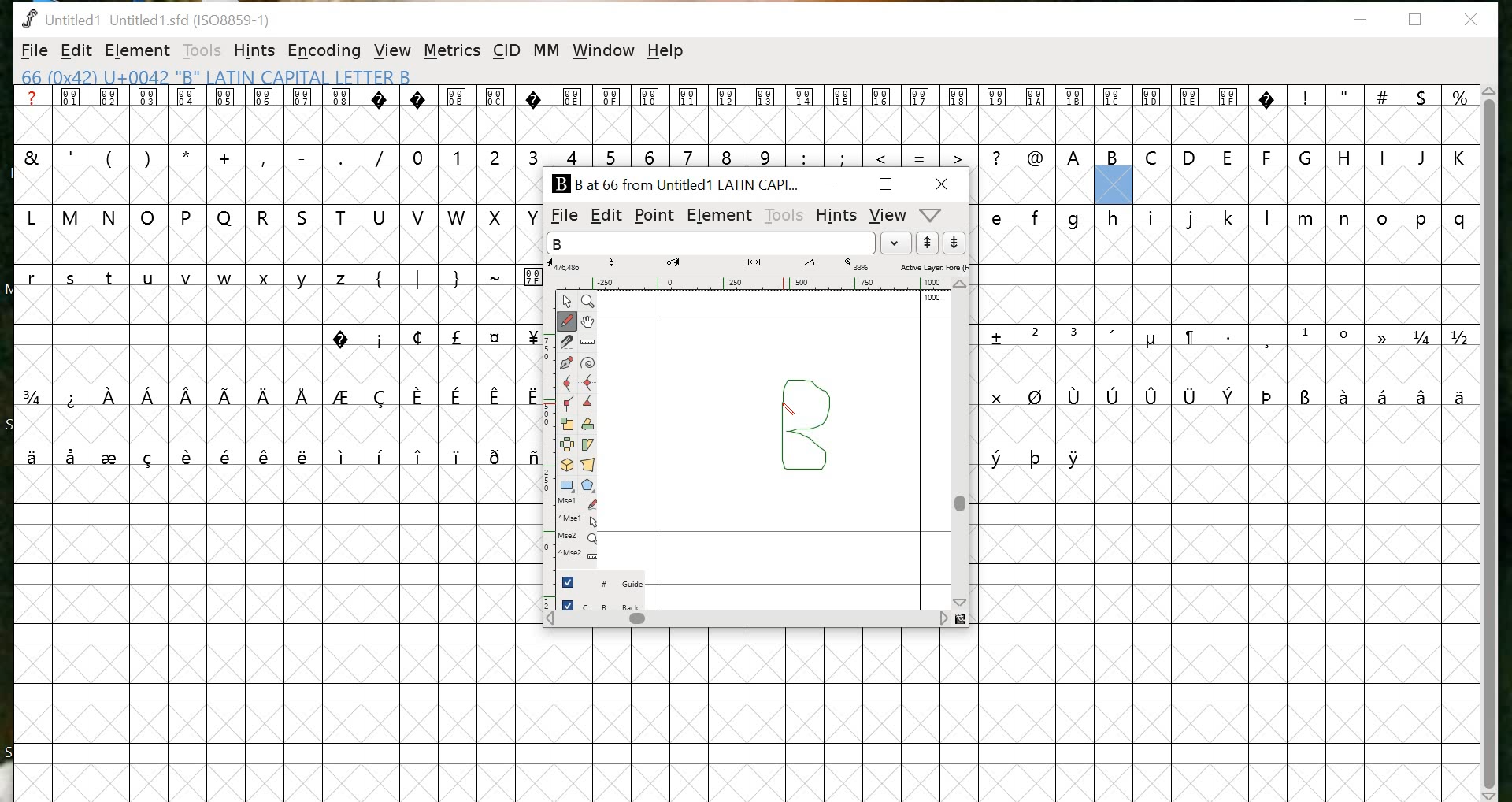 This screenshot has height=802, width=1512. I want to click on Mouse wheel button, so click(580, 539).